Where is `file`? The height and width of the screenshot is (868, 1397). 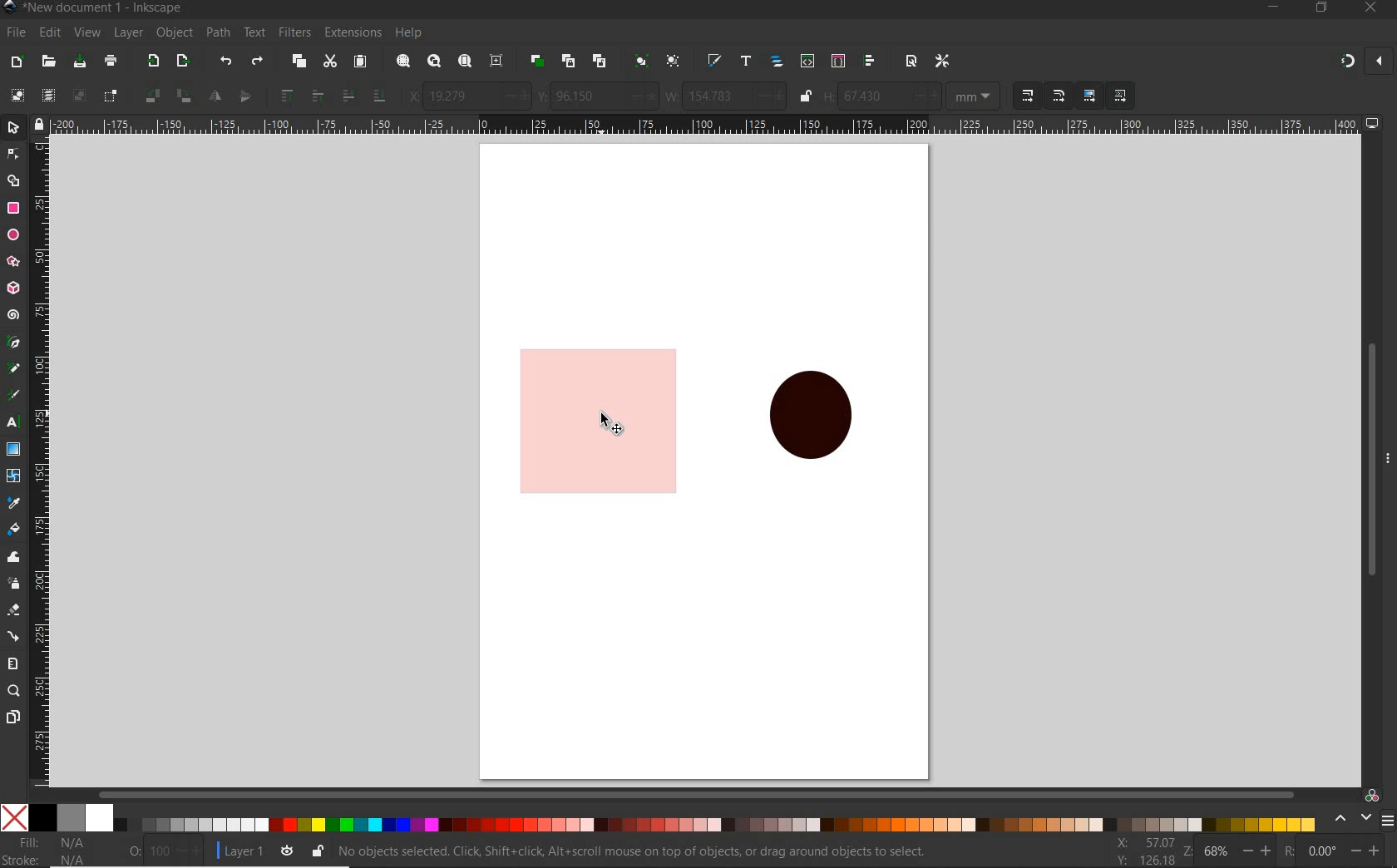
file is located at coordinates (15, 32).